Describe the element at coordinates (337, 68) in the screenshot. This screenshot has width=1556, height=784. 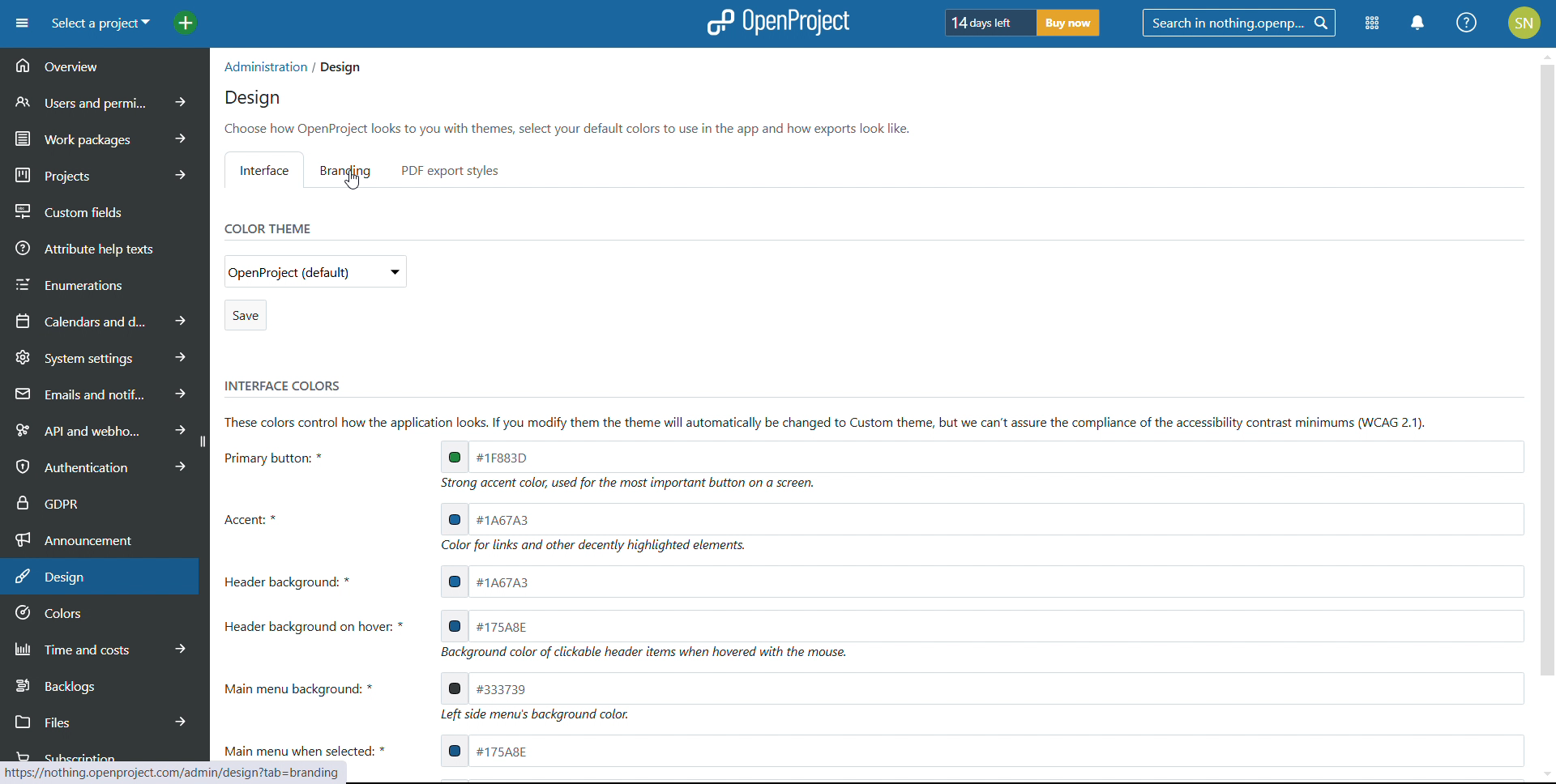
I see `/ Design` at that location.